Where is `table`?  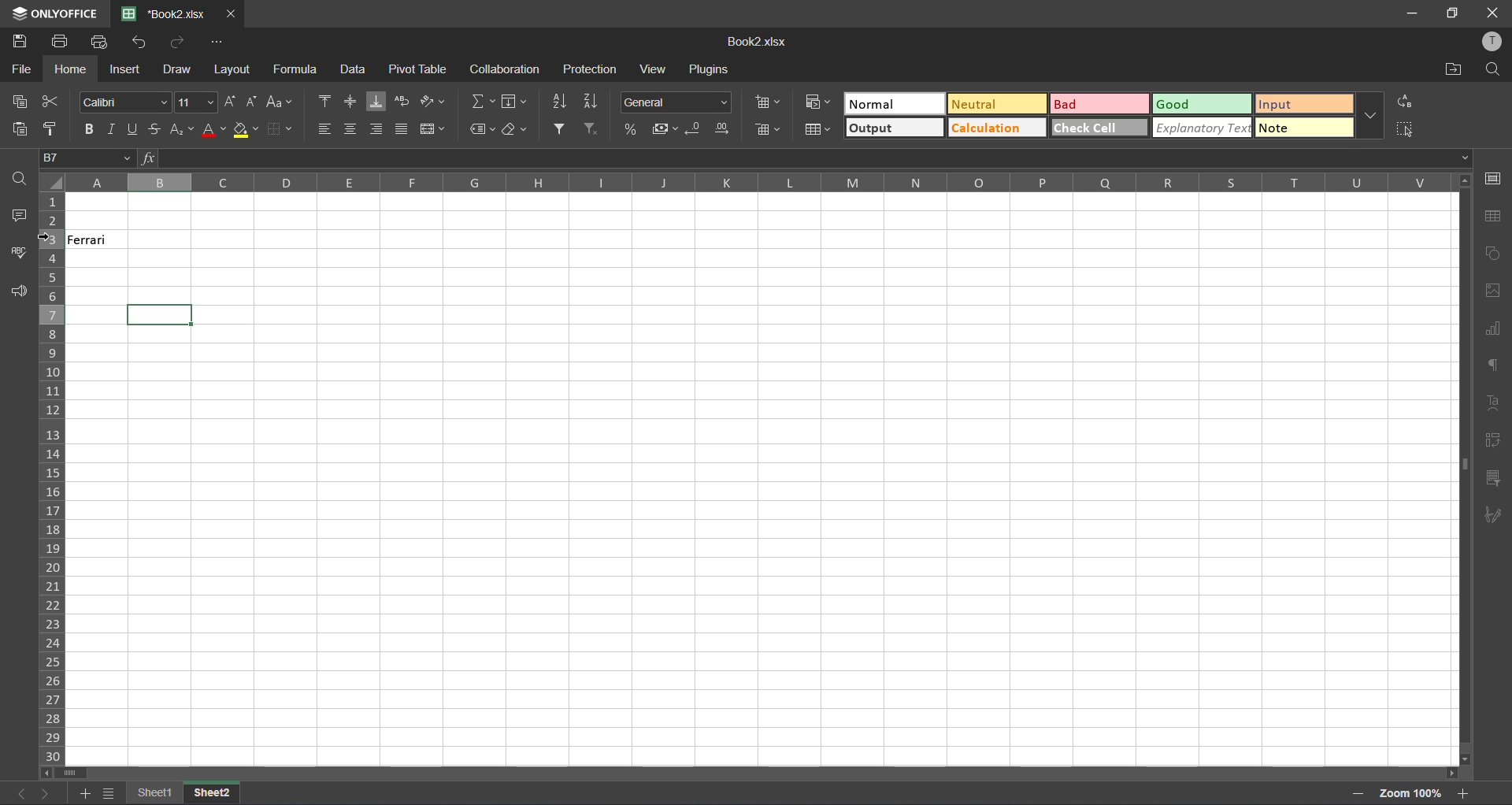 table is located at coordinates (1497, 217).